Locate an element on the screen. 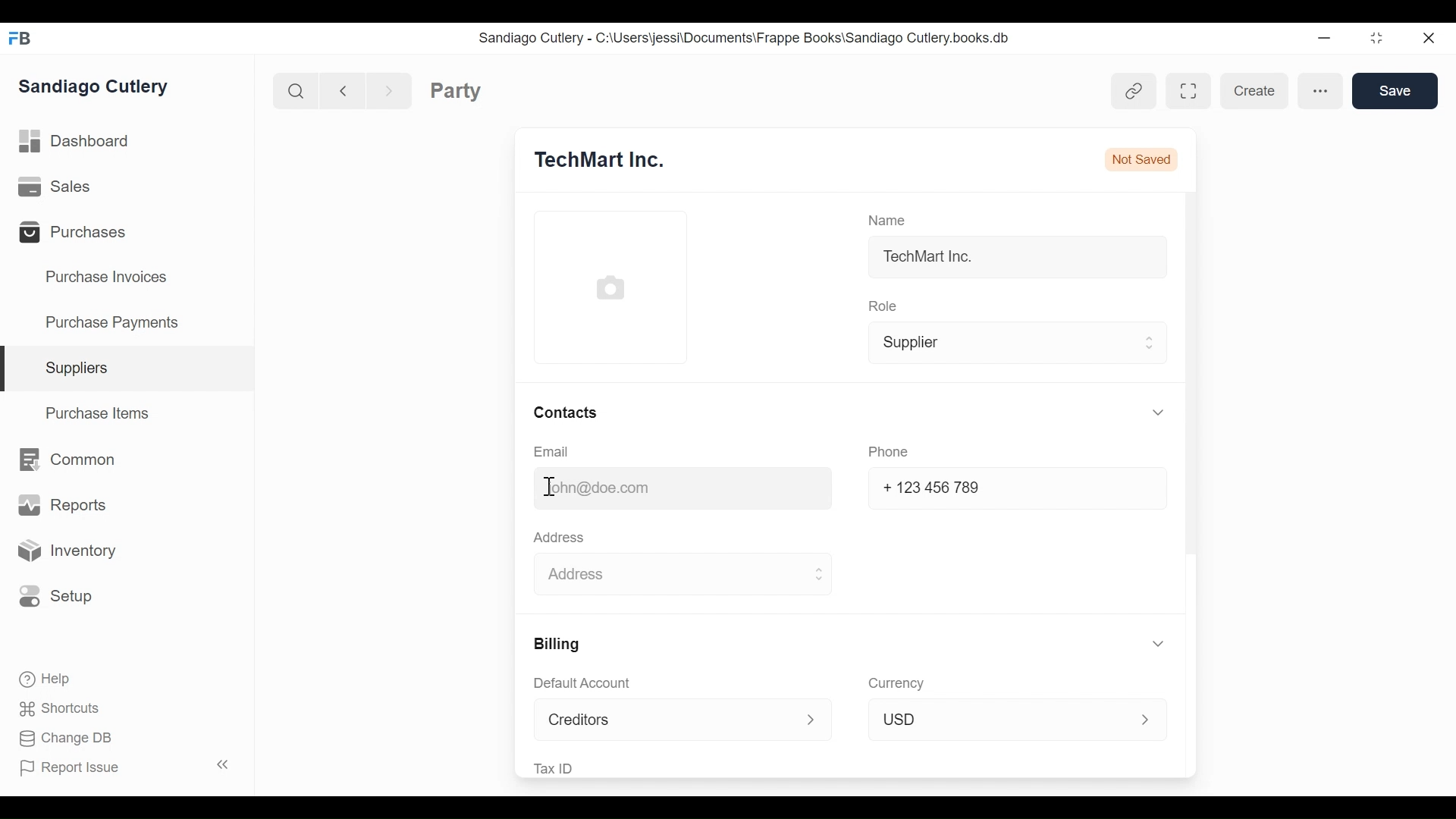 This screenshot has height=819, width=1456. Not Saved is located at coordinates (1141, 154).